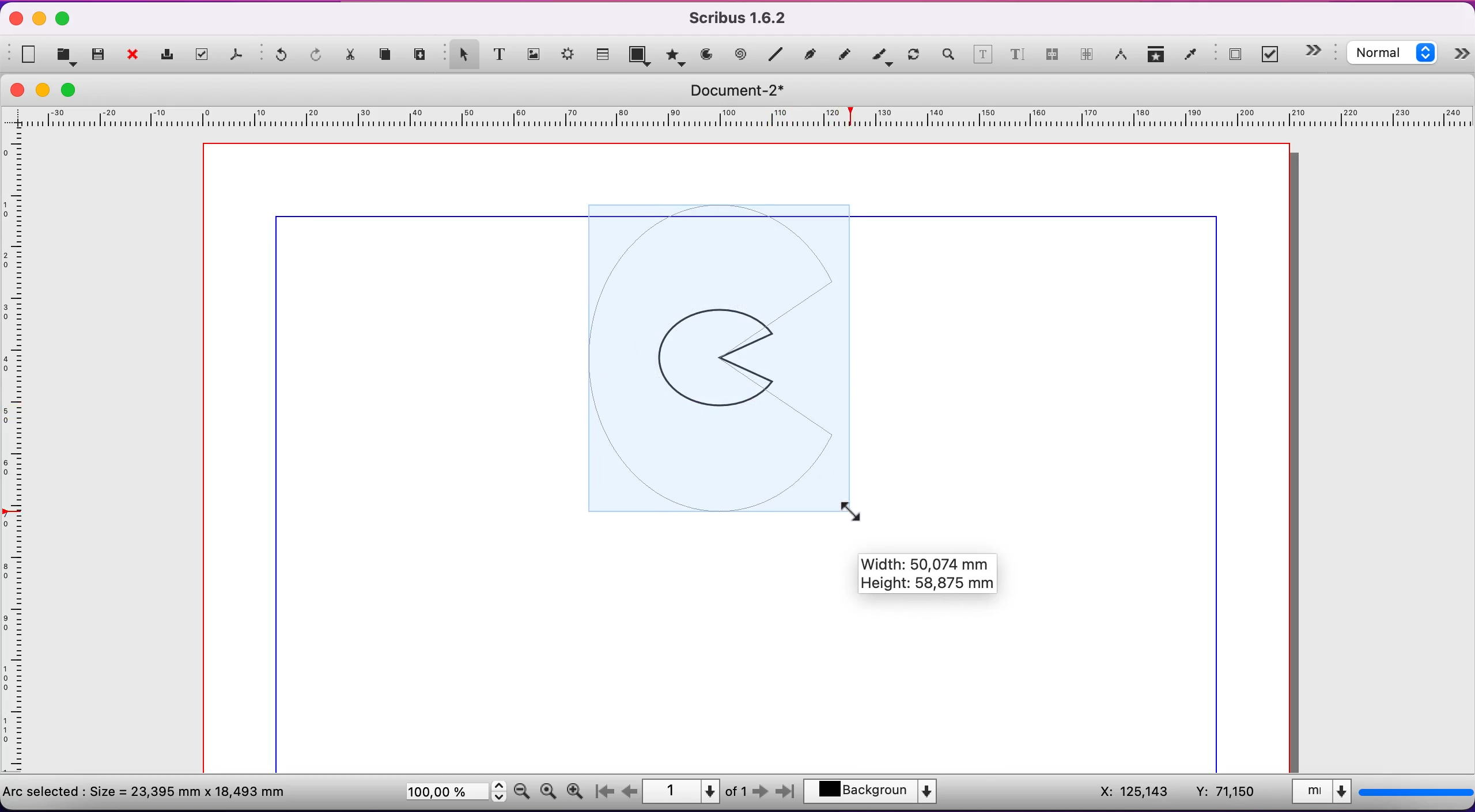 The image size is (1475, 812). I want to click on freehand line, so click(845, 54).